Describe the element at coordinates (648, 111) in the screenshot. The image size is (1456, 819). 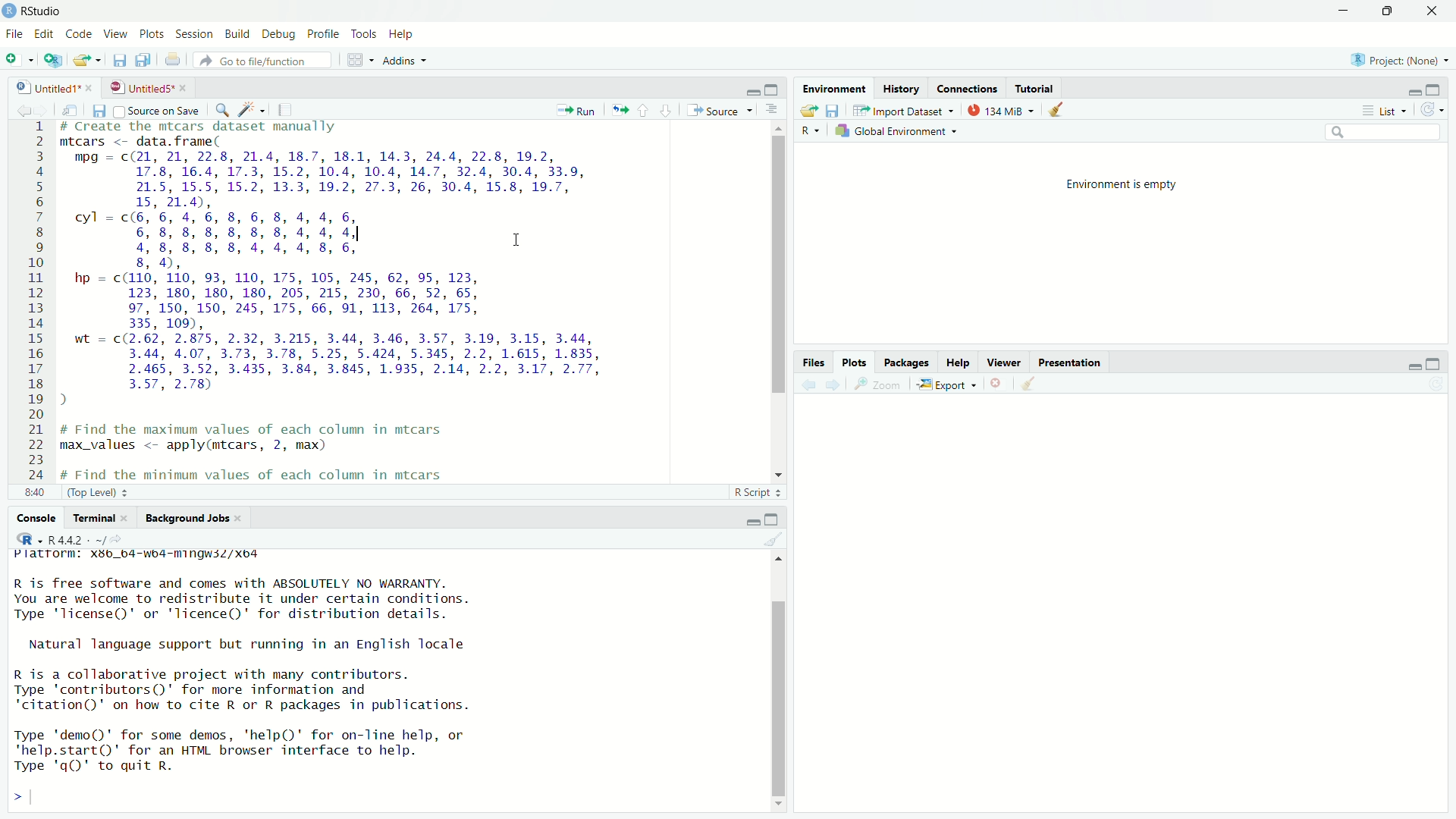
I see `upward` at that location.